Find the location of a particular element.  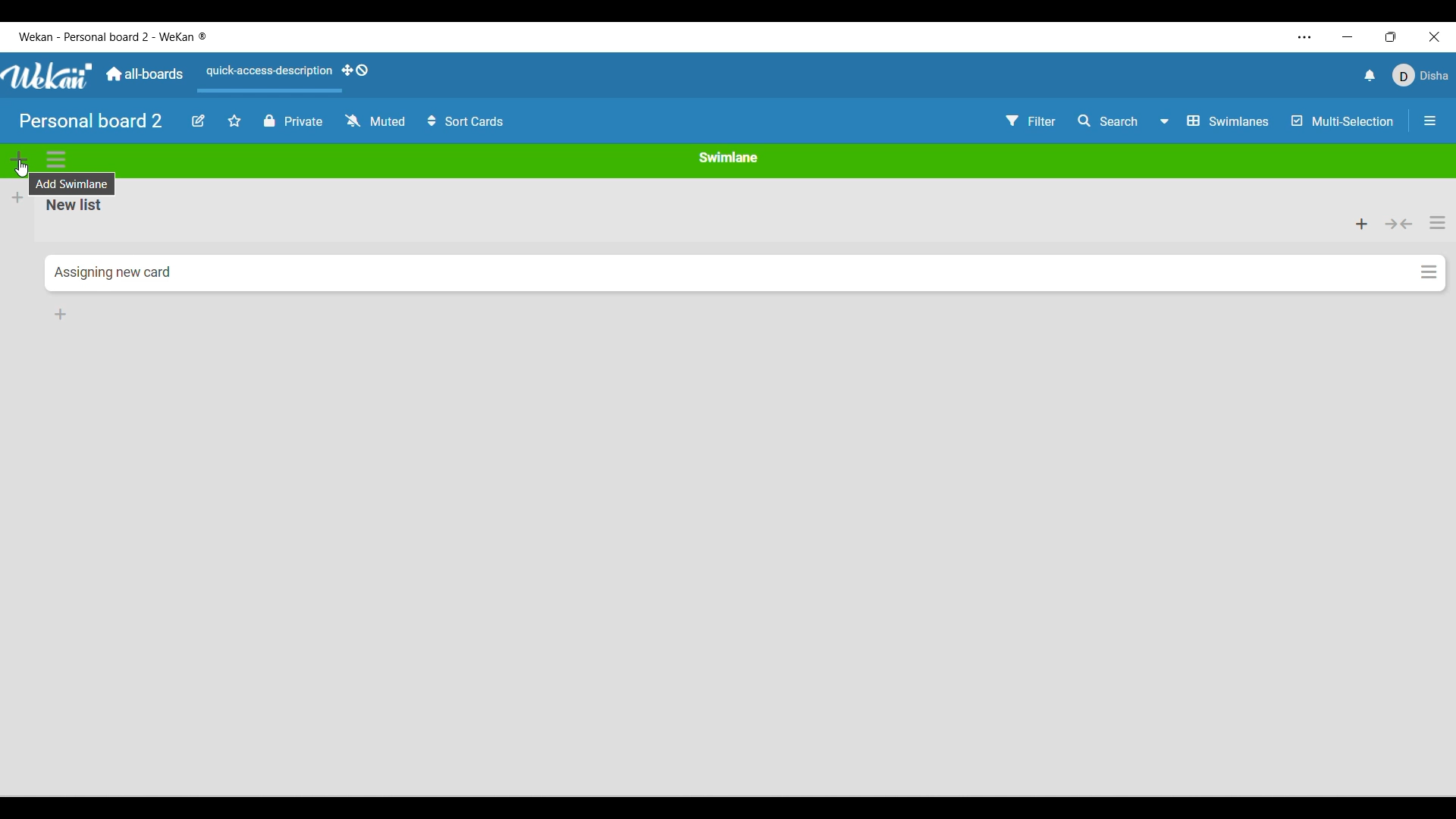

Star board is located at coordinates (234, 121).